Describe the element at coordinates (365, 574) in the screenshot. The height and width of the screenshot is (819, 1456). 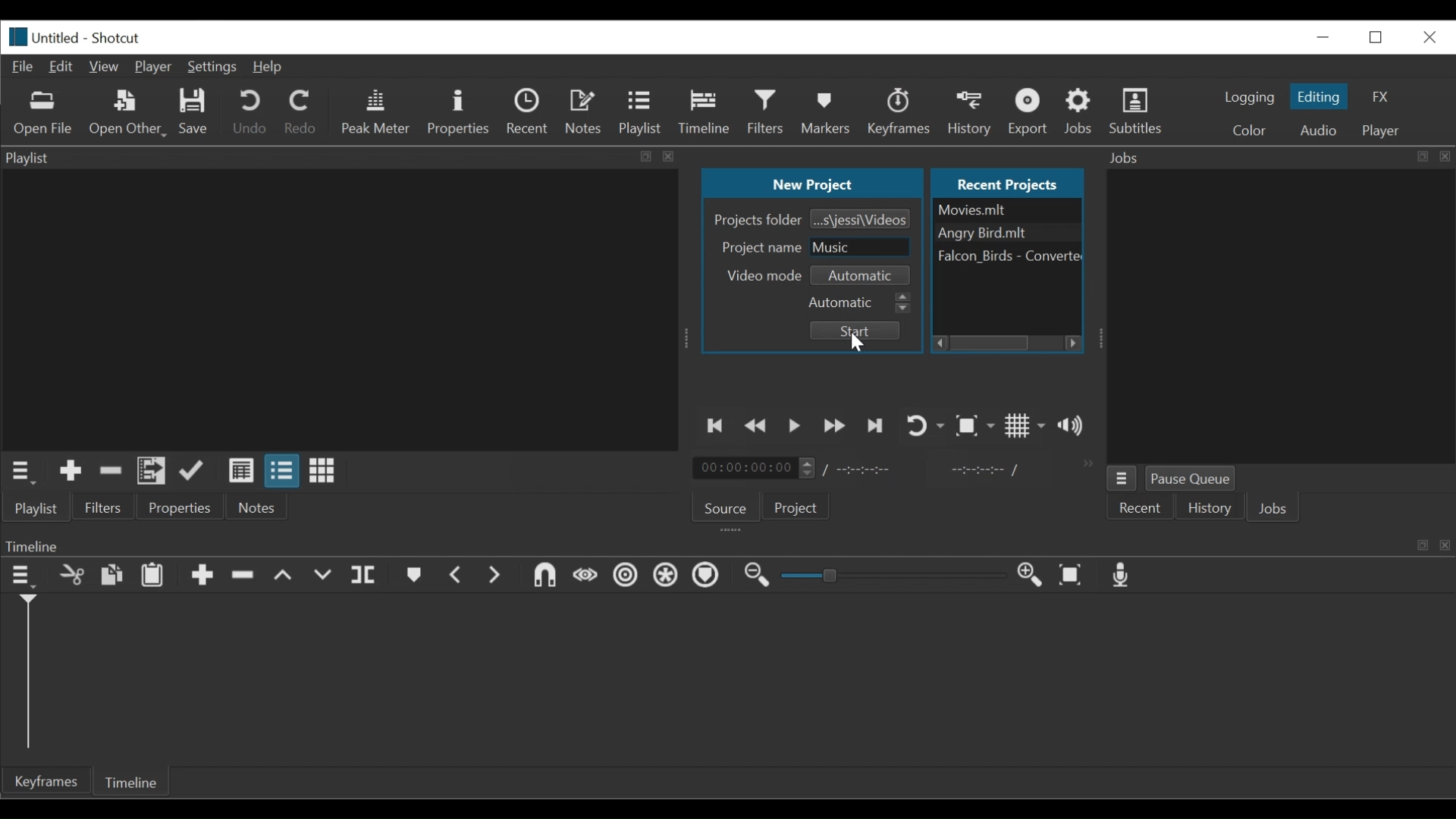
I see `Split at playhead` at that location.